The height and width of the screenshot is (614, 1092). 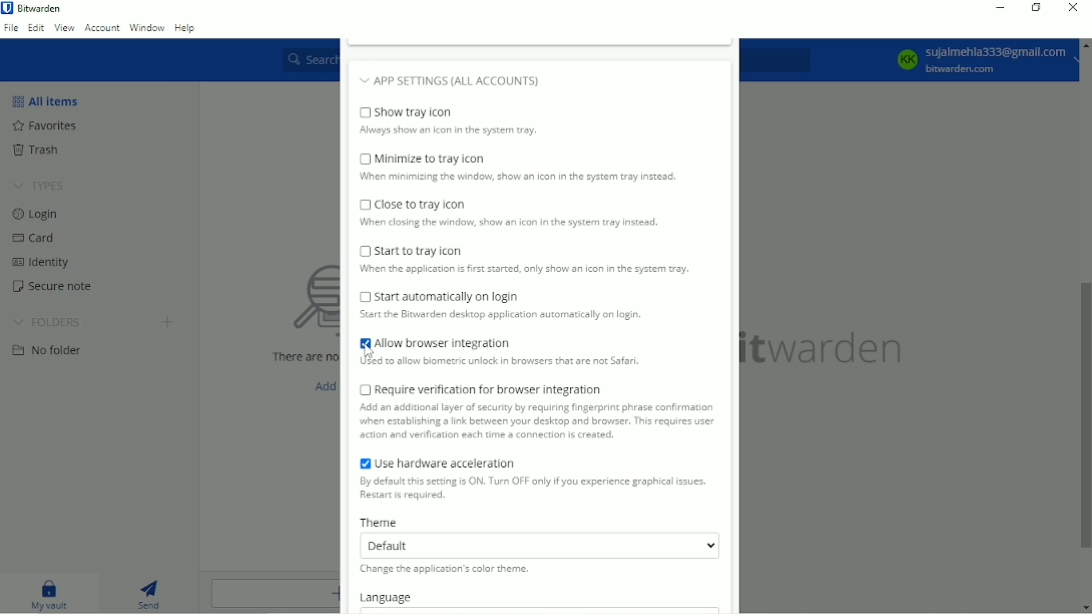 What do you see at coordinates (36, 214) in the screenshot?
I see `Login` at bounding box center [36, 214].